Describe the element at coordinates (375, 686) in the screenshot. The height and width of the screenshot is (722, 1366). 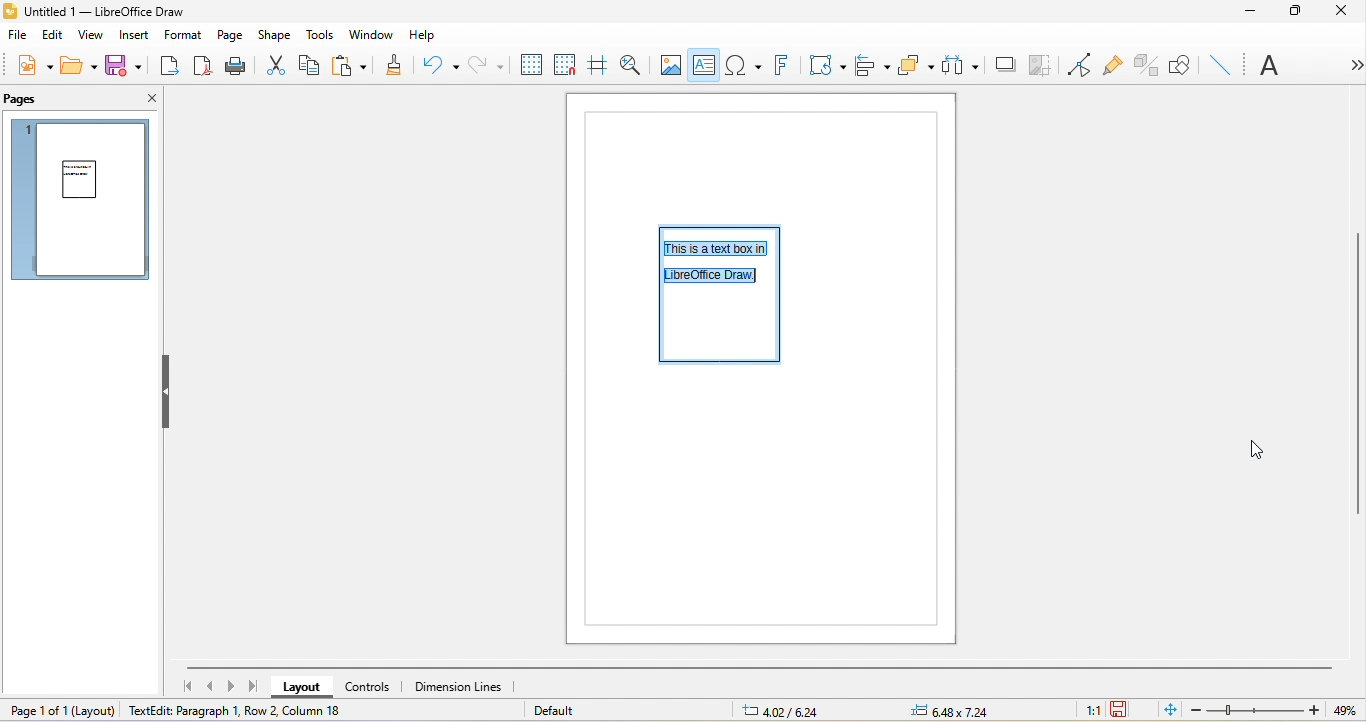
I see `controls` at that location.